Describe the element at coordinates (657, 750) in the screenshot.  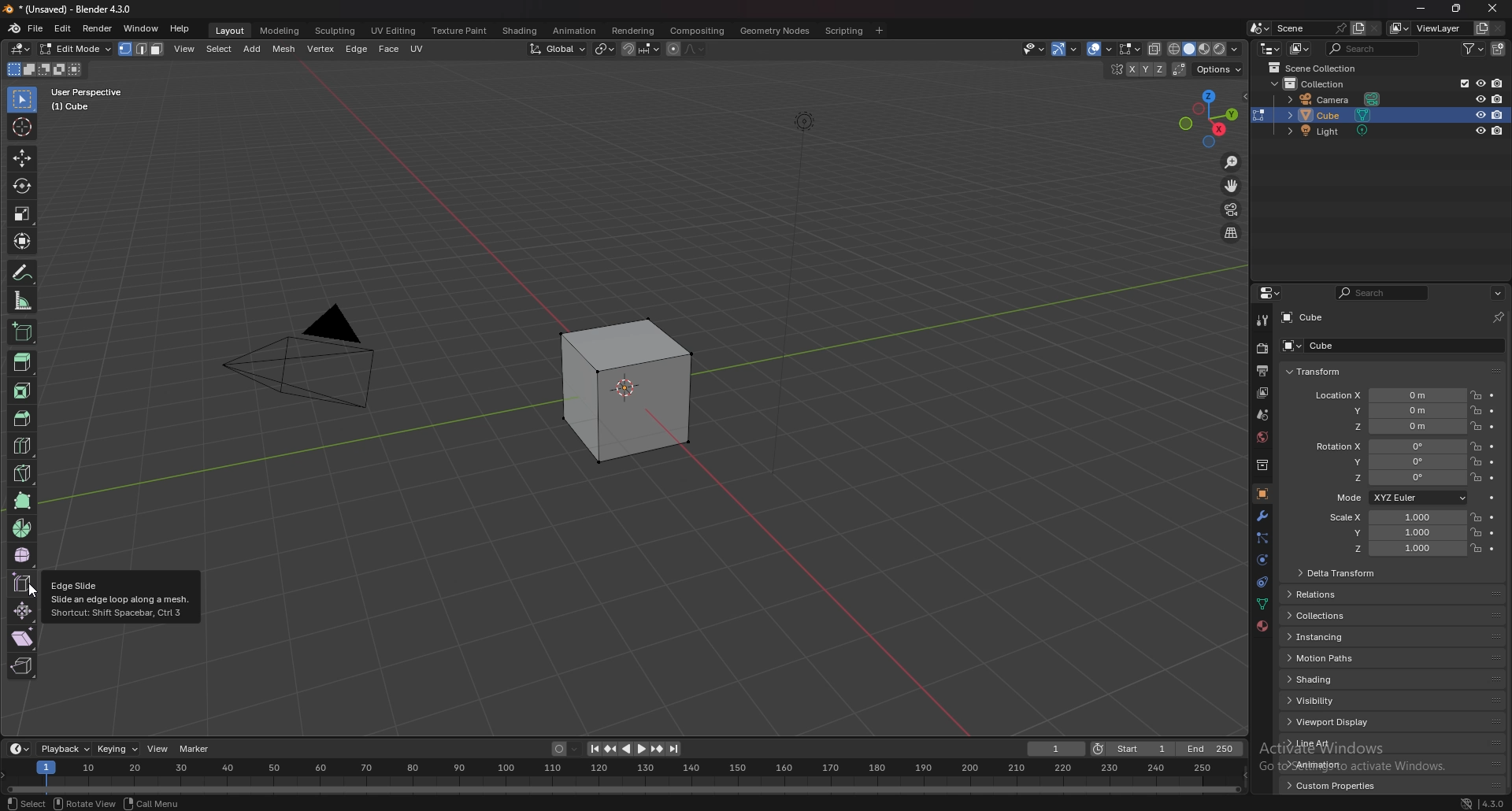
I see `jump to keyframe` at that location.